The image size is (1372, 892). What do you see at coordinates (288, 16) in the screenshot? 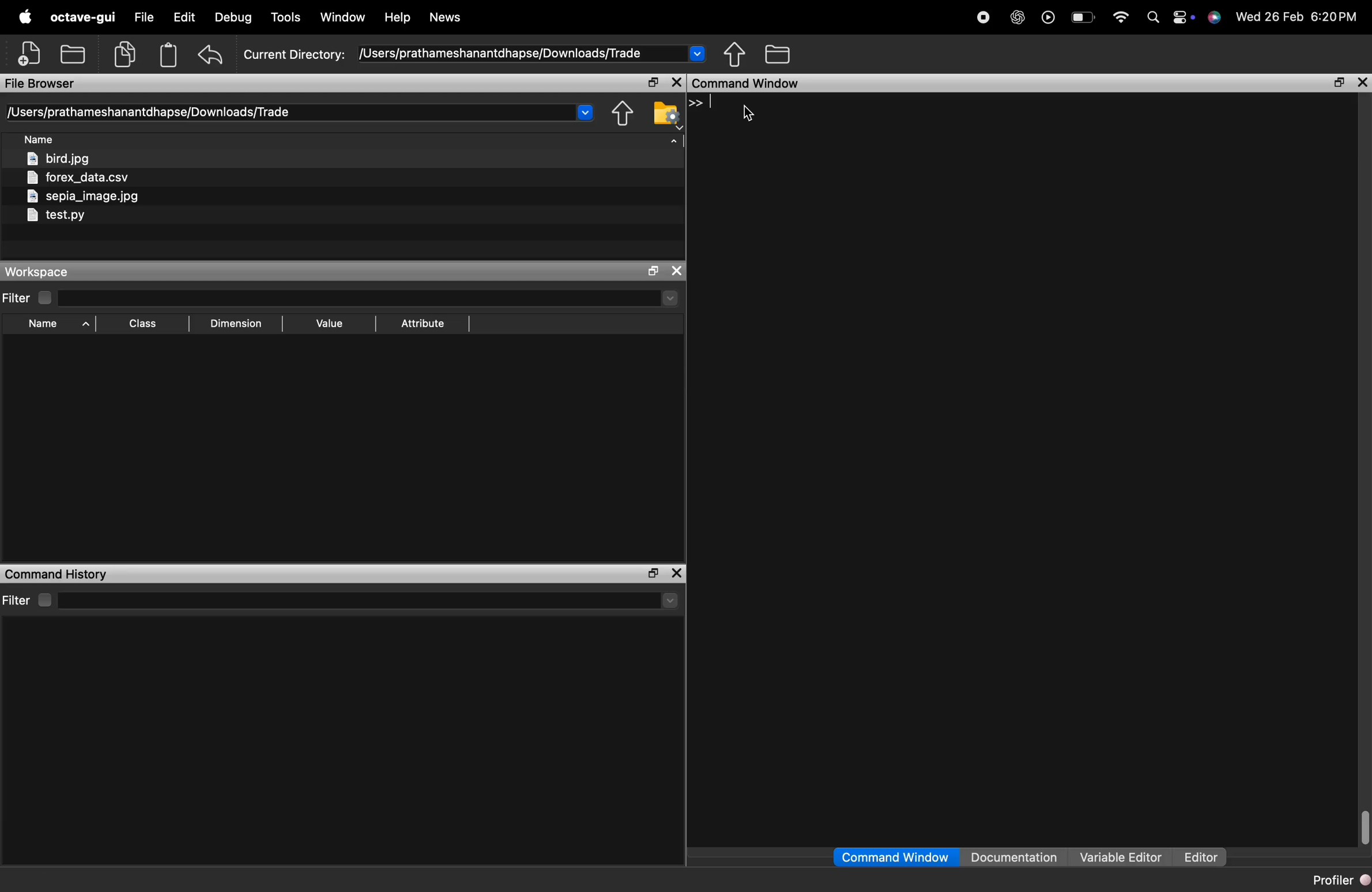
I see `Tools` at bounding box center [288, 16].